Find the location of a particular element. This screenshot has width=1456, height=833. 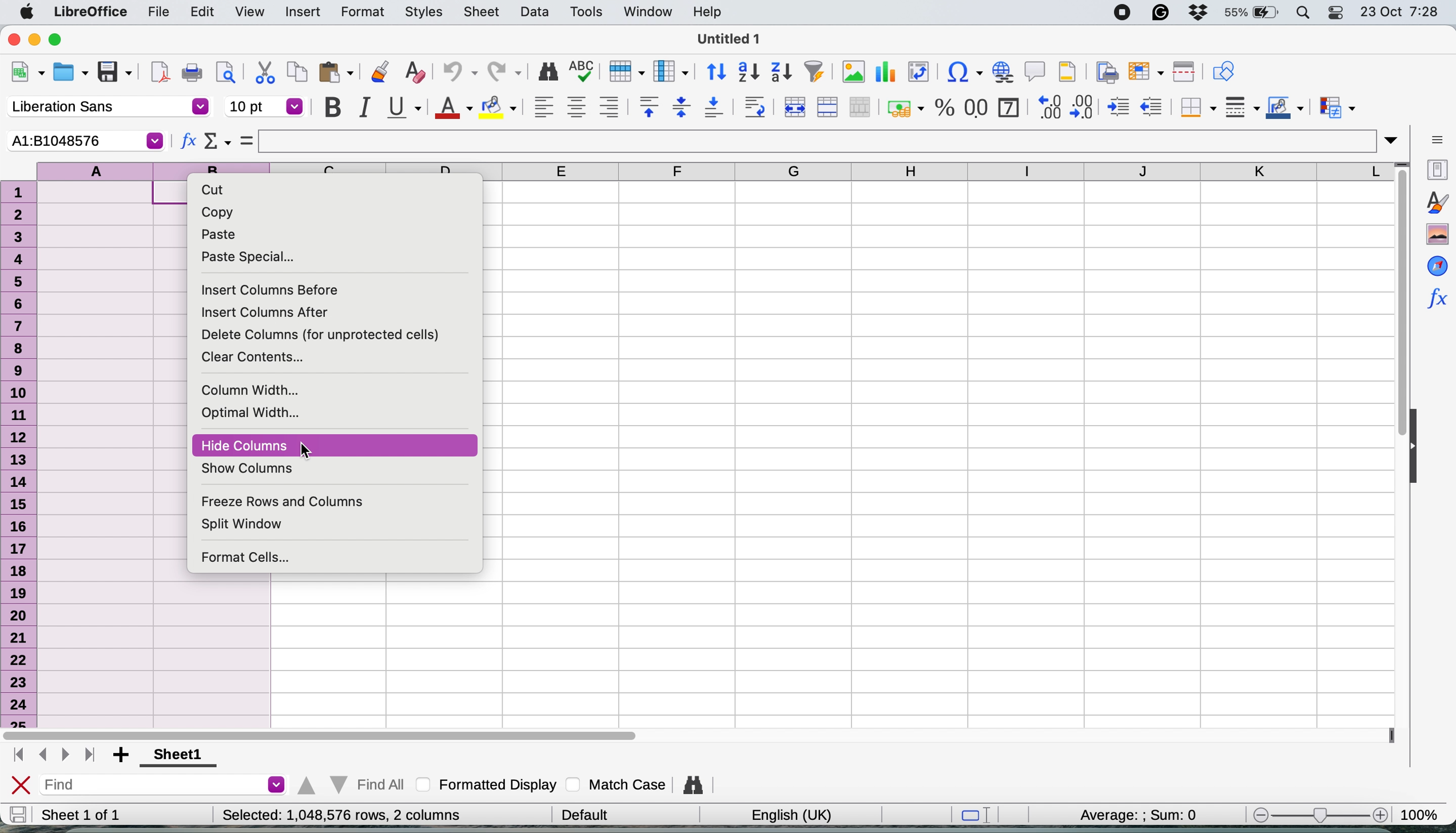

bold is located at coordinates (331, 108).